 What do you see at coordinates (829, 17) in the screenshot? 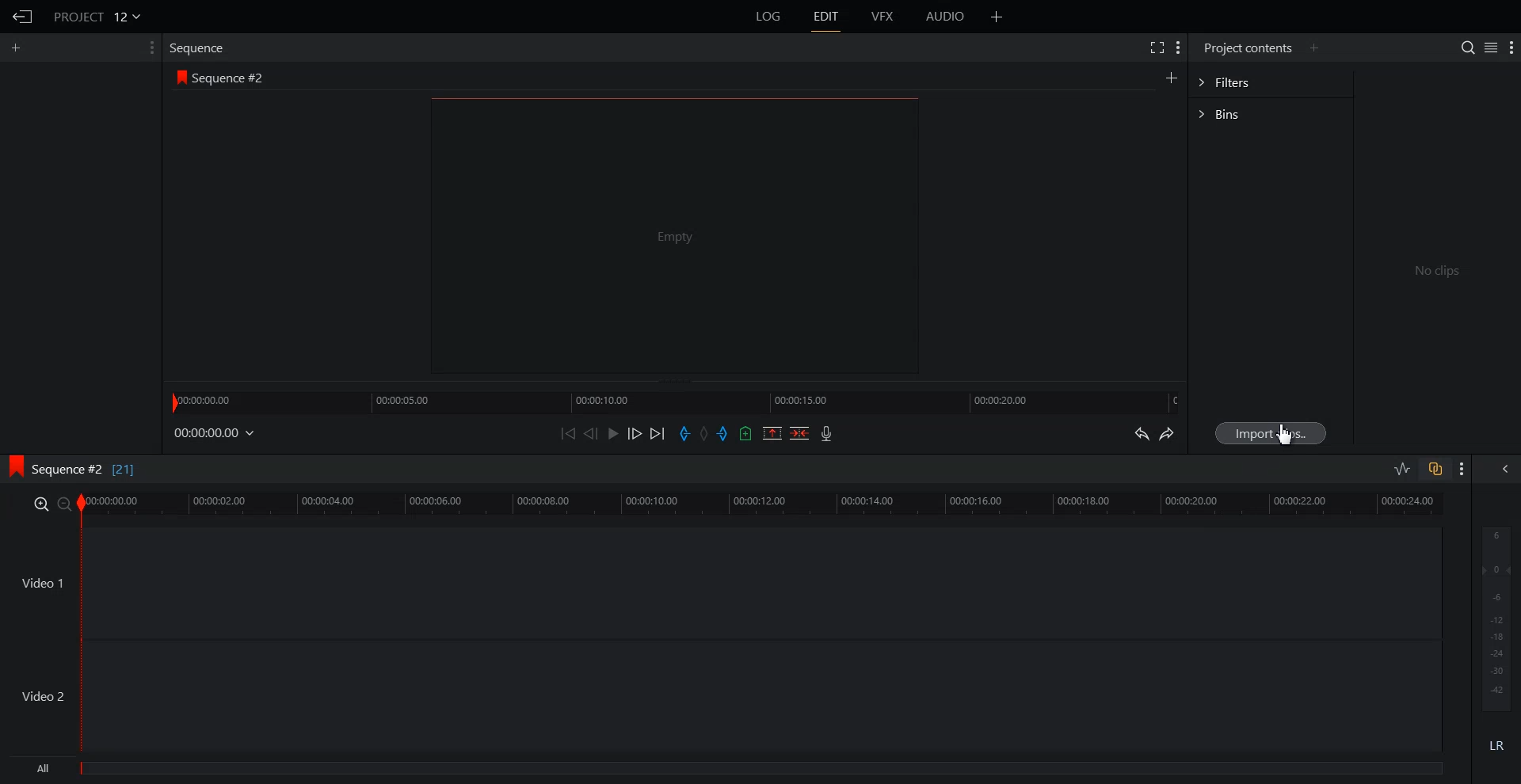
I see `EDIT` at bounding box center [829, 17].